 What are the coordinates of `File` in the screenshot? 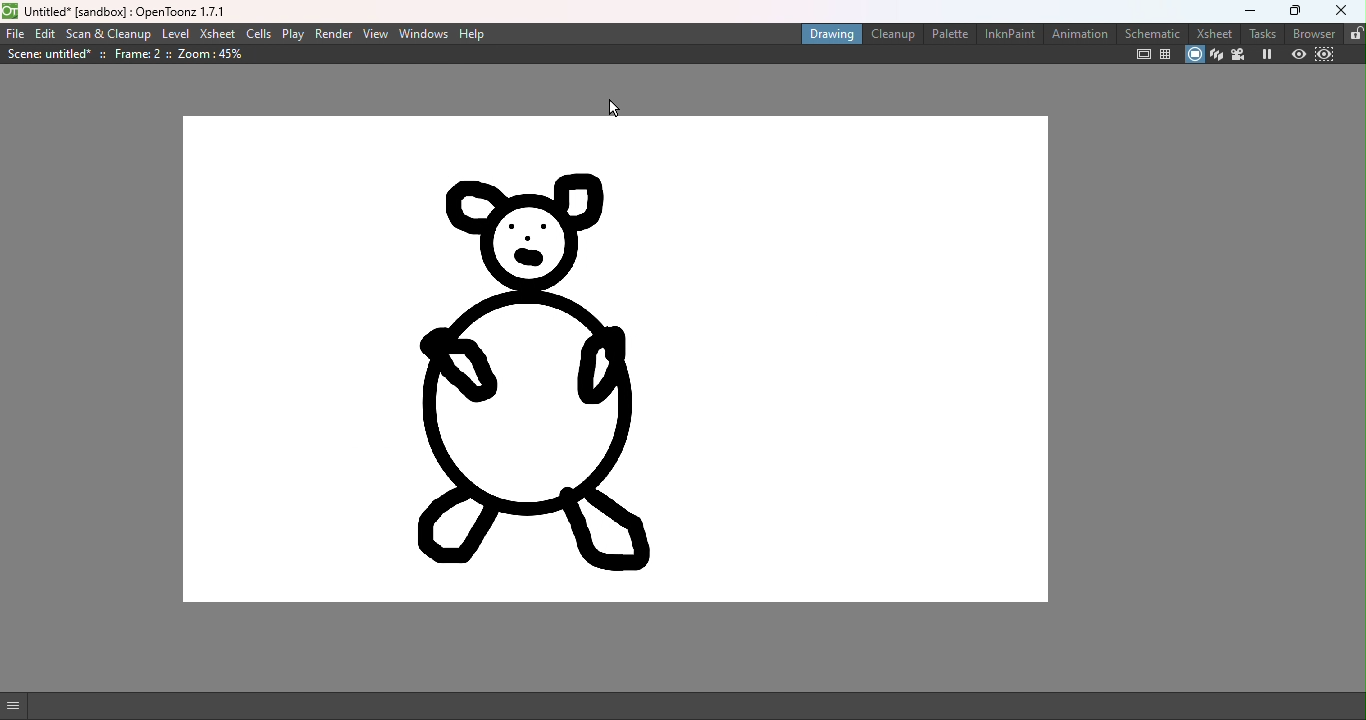 It's located at (15, 35).